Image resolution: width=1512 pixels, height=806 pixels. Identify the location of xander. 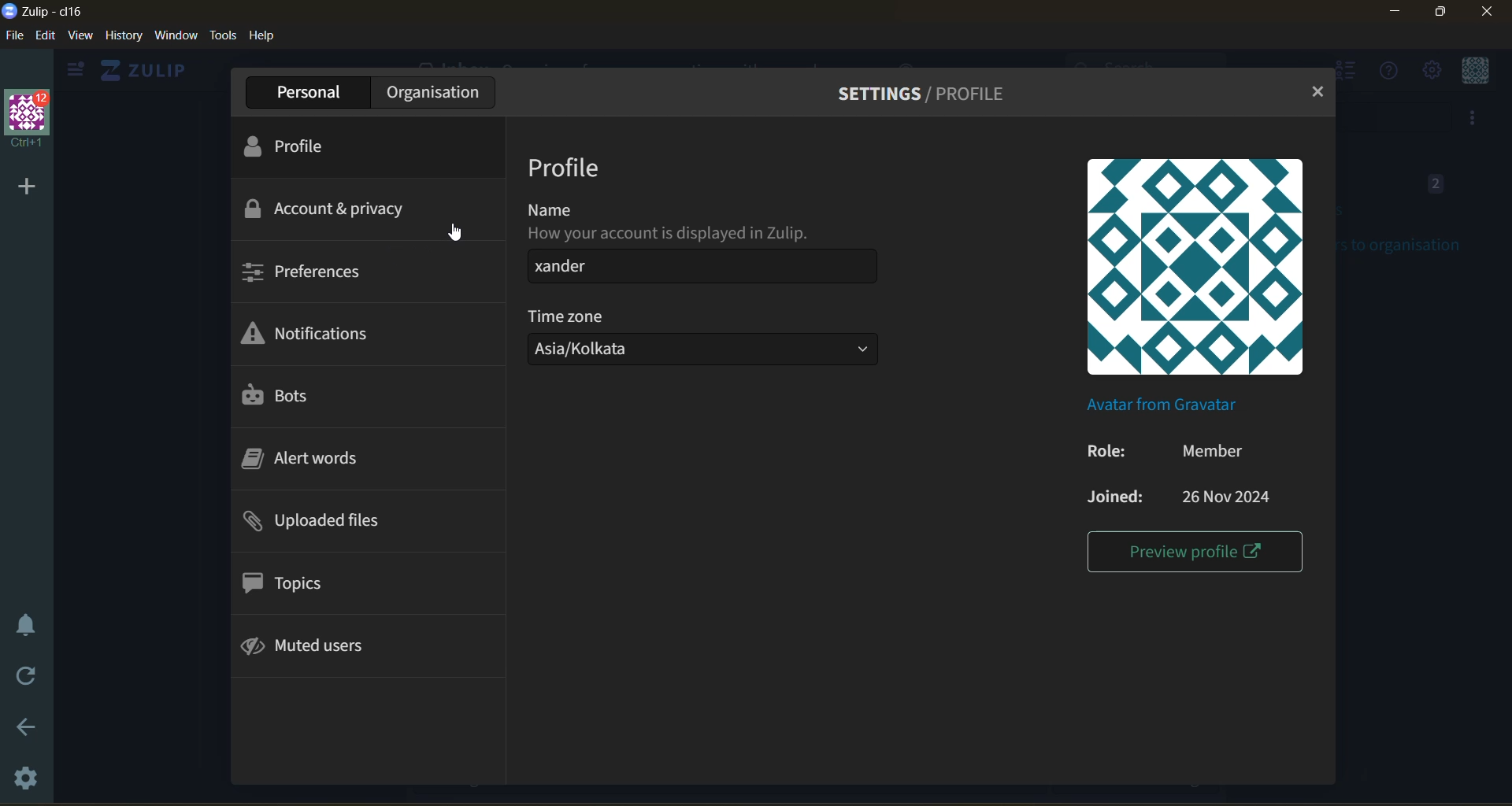
(702, 266).